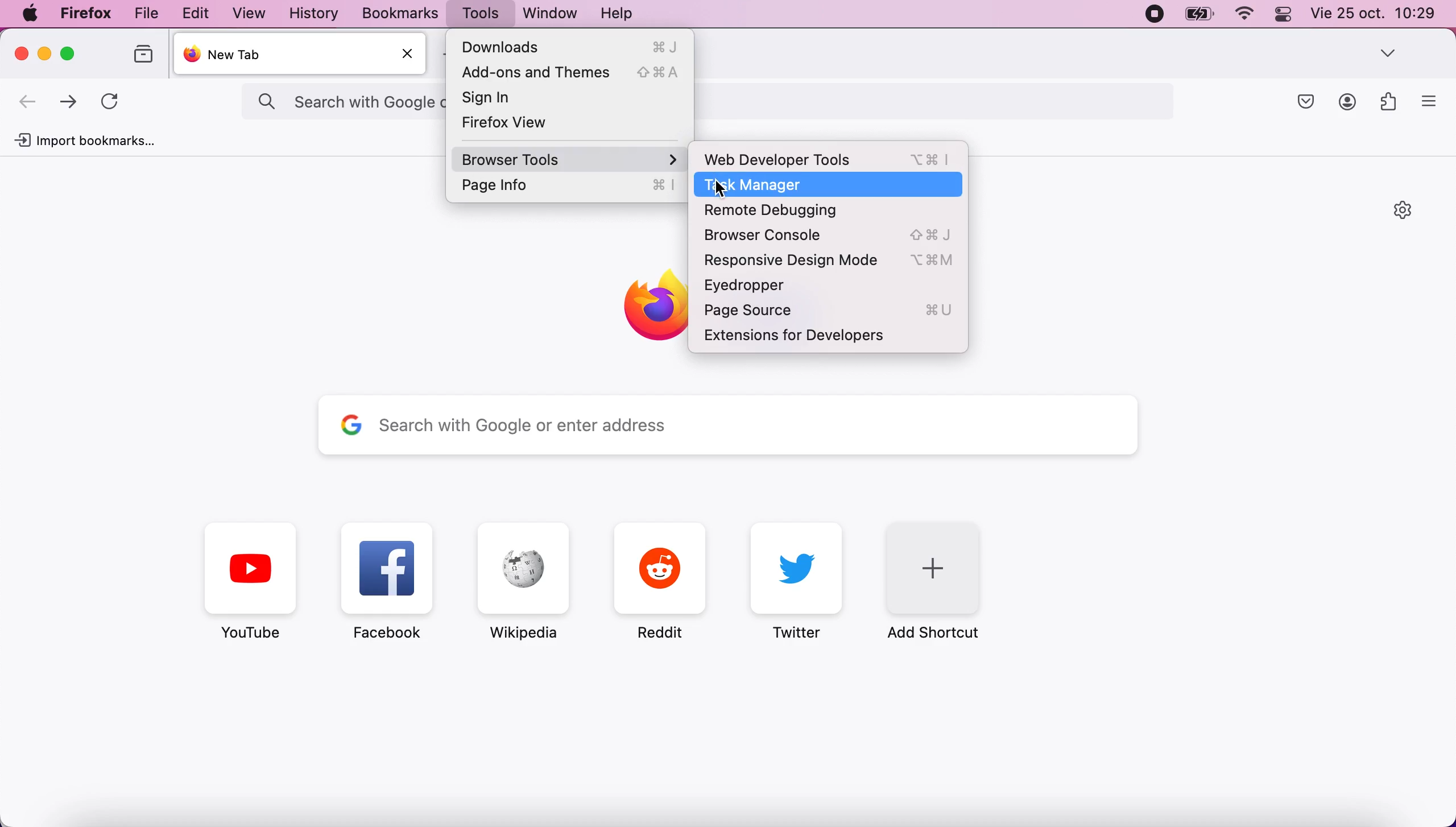 The width and height of the screenshot is (1456, 827). What do you see at coordinates (552, 13) in the screenshot?
I see `Windows` at bounding box center [552, 13].